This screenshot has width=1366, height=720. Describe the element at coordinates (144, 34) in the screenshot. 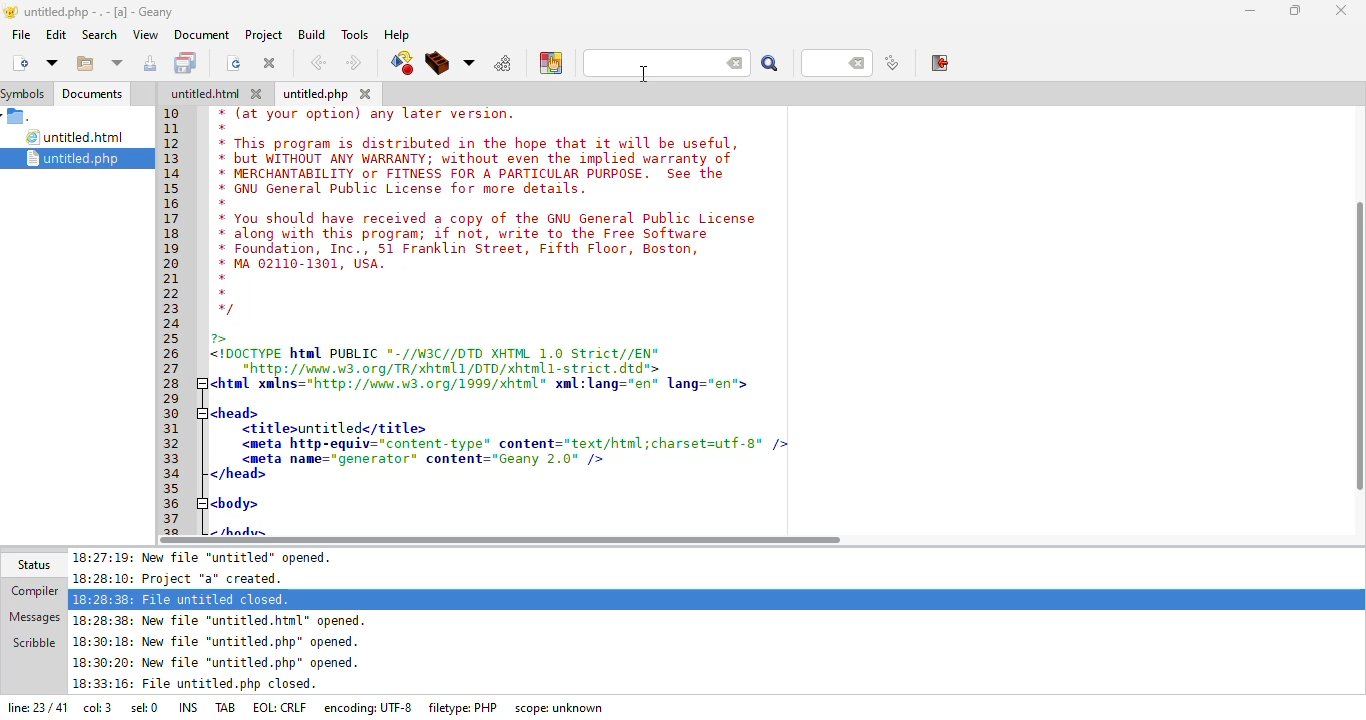

I see `view` at that location.